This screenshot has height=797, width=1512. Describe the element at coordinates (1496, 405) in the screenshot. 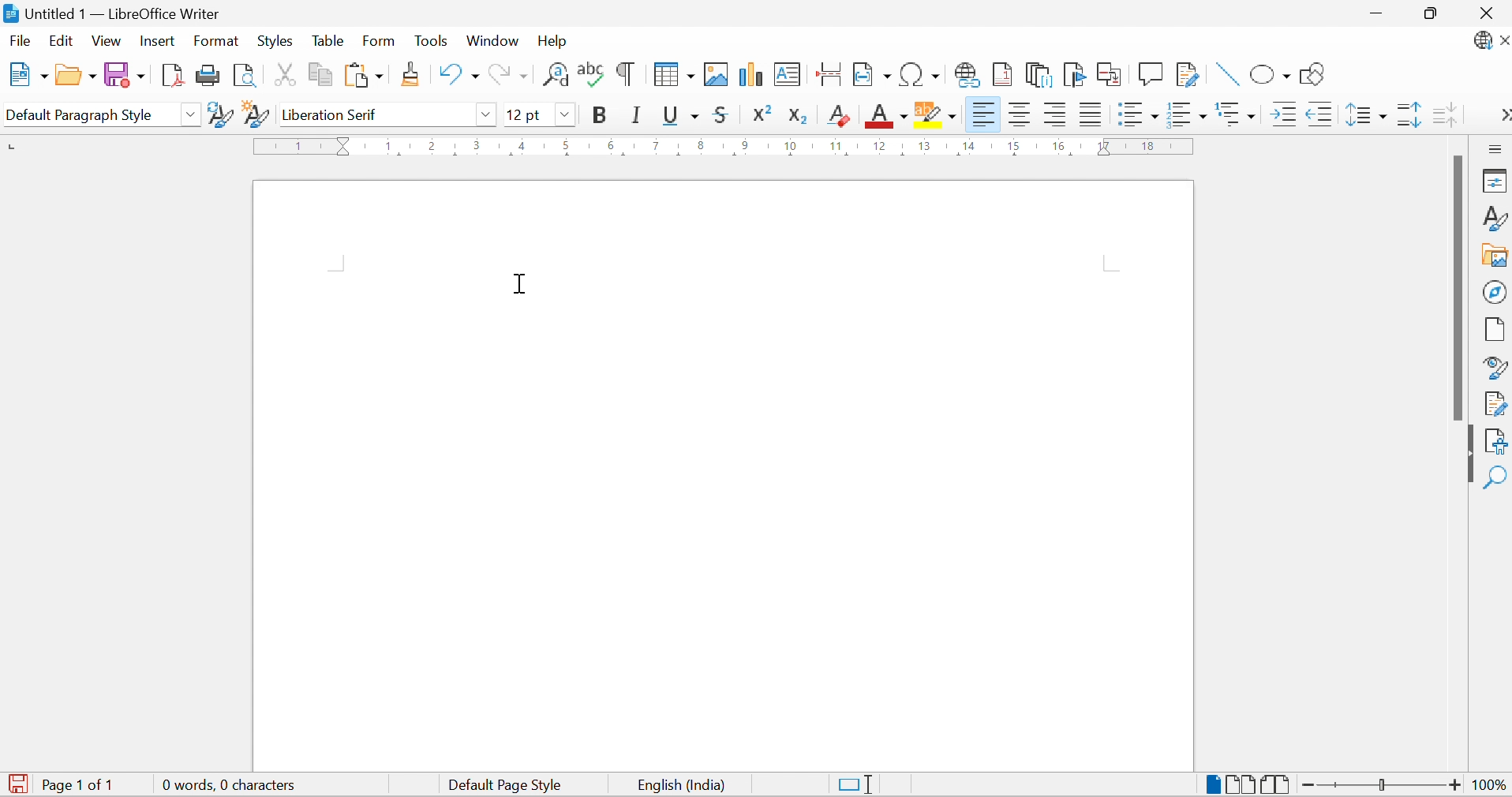

I see `Manage Changes` at that location.